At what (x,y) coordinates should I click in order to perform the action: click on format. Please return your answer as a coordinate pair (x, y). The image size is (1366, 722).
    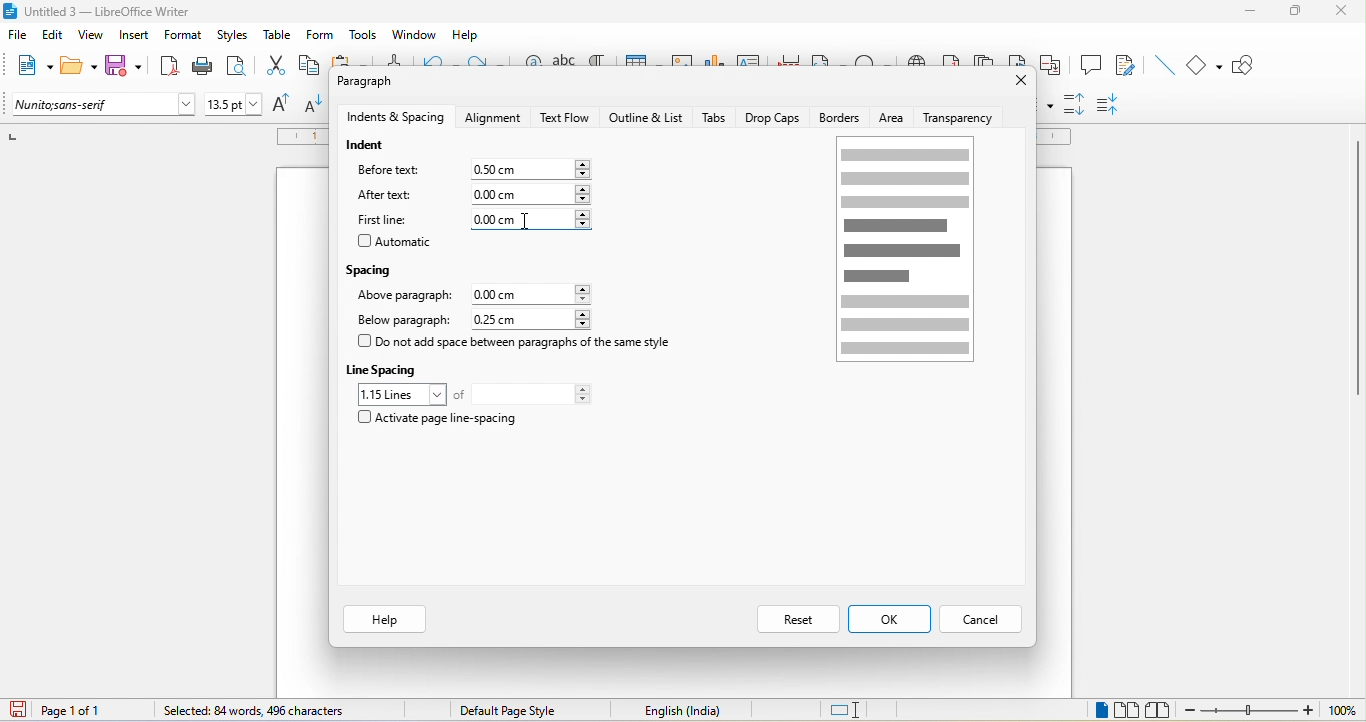
    Looking at the image, I should click on (183, 37).